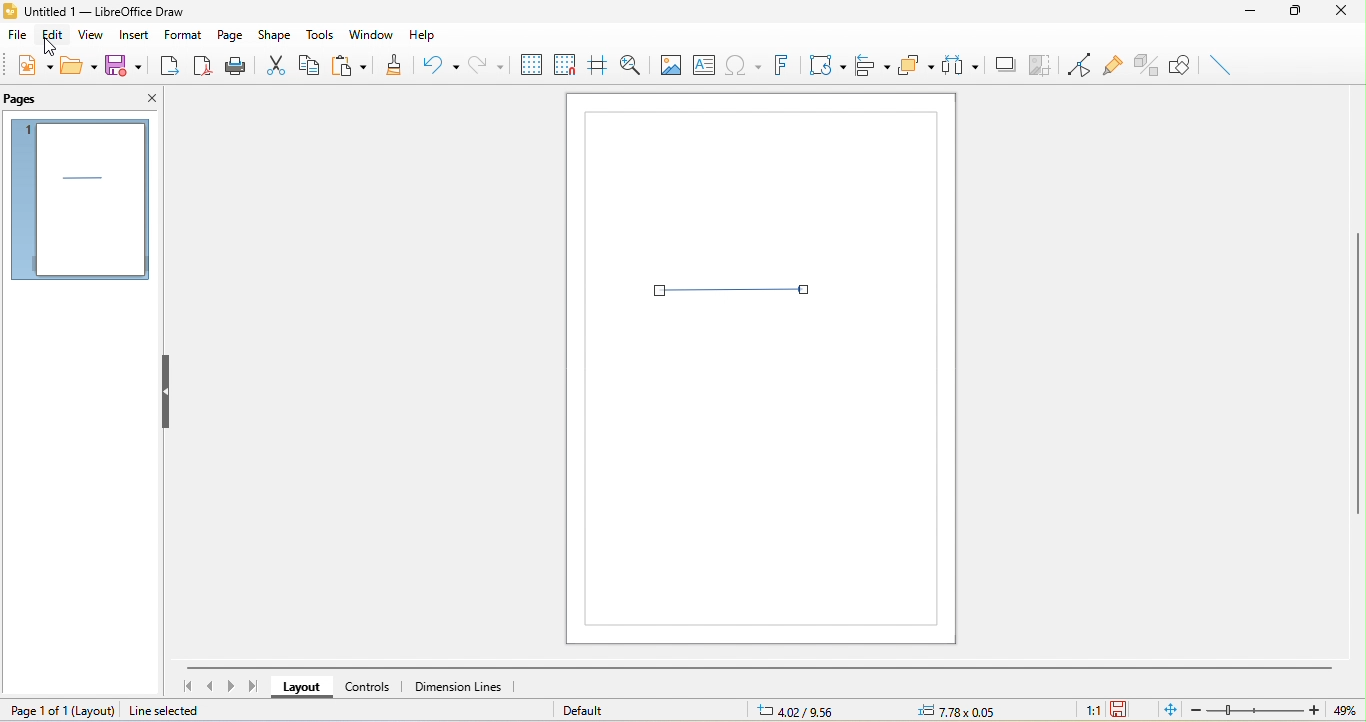 The image size is (1366, 722). I want to click on 7.26/9.58, so click(808, 711).